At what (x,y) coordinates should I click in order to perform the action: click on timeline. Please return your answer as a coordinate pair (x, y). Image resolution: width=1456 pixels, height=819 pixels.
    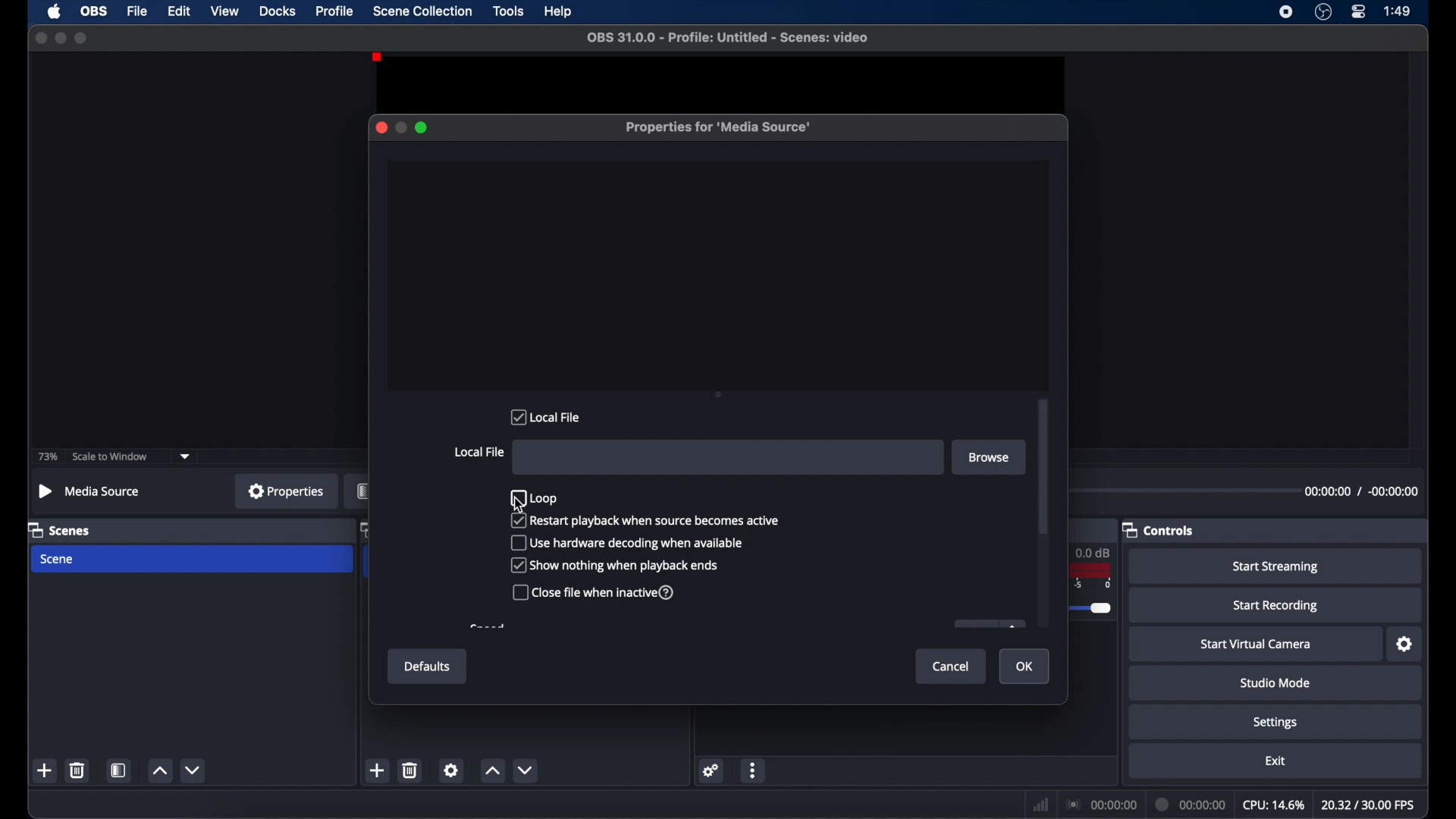
    Looking at the image, I should click on (1097, 595).